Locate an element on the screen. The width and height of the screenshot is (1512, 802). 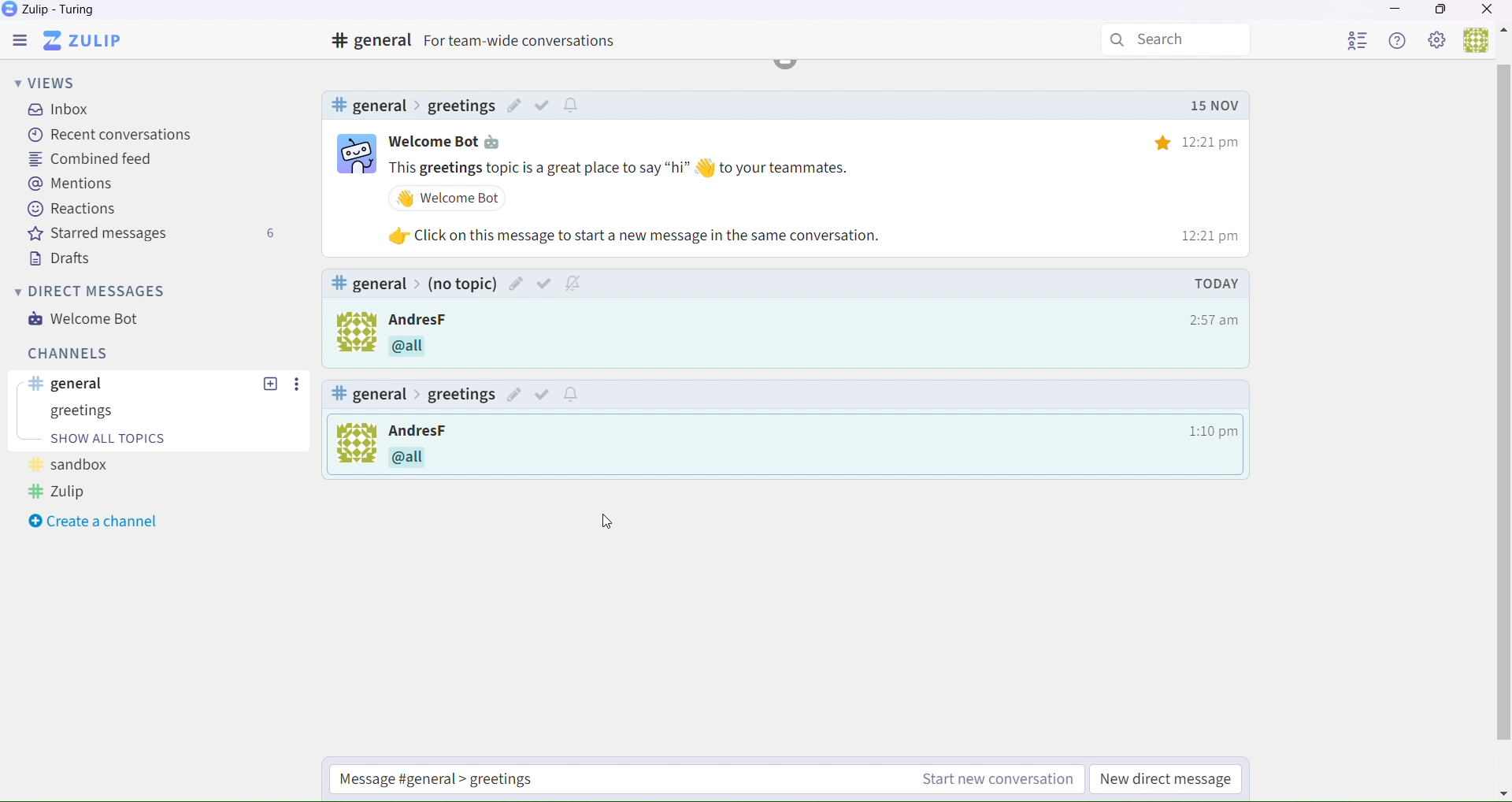
Menu is located at coordinates (24, 39).